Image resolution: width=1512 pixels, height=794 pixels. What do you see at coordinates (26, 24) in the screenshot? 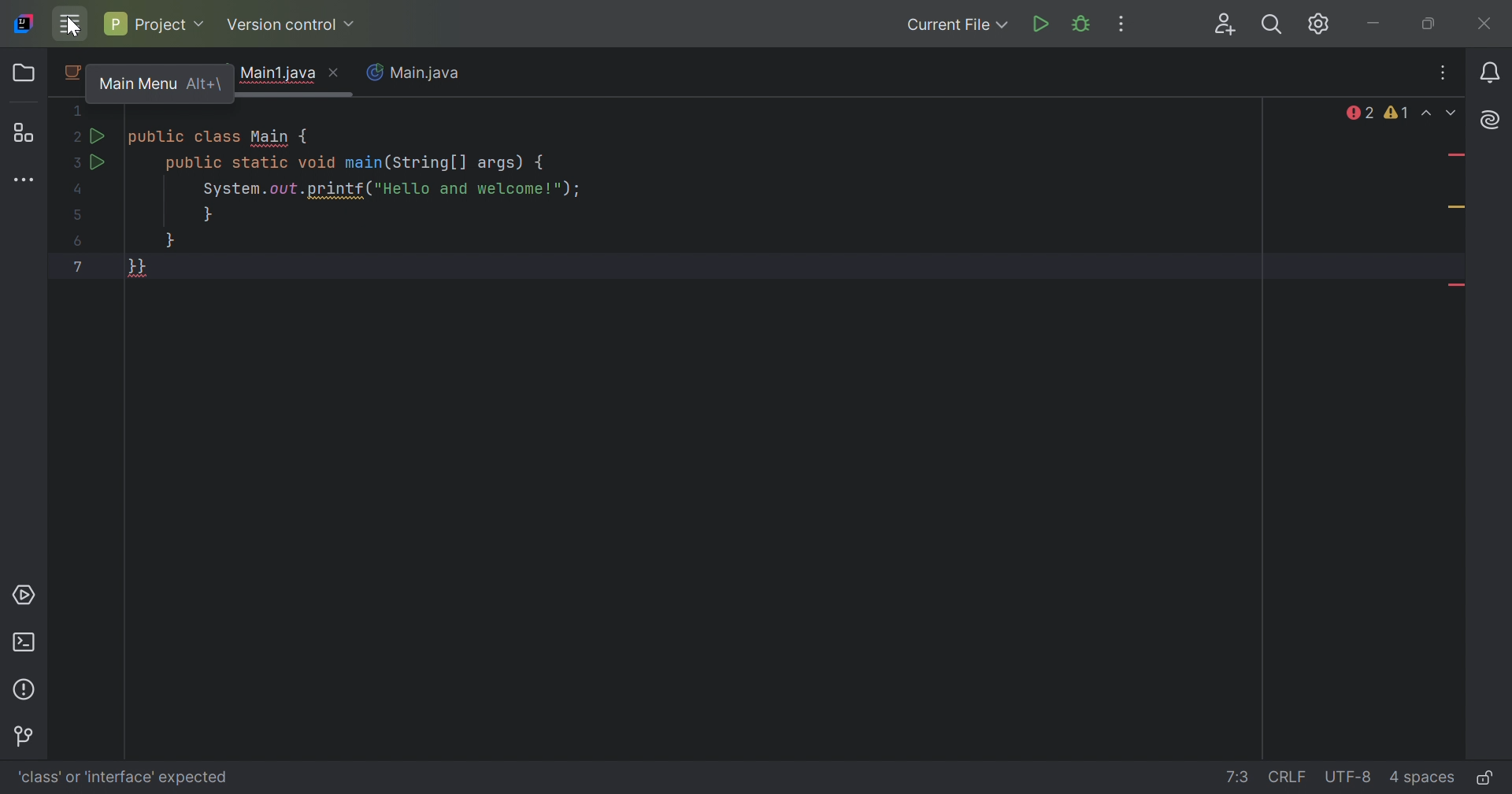
I see `IntelliJ IDEA icon` at bounding box center [26, 24].